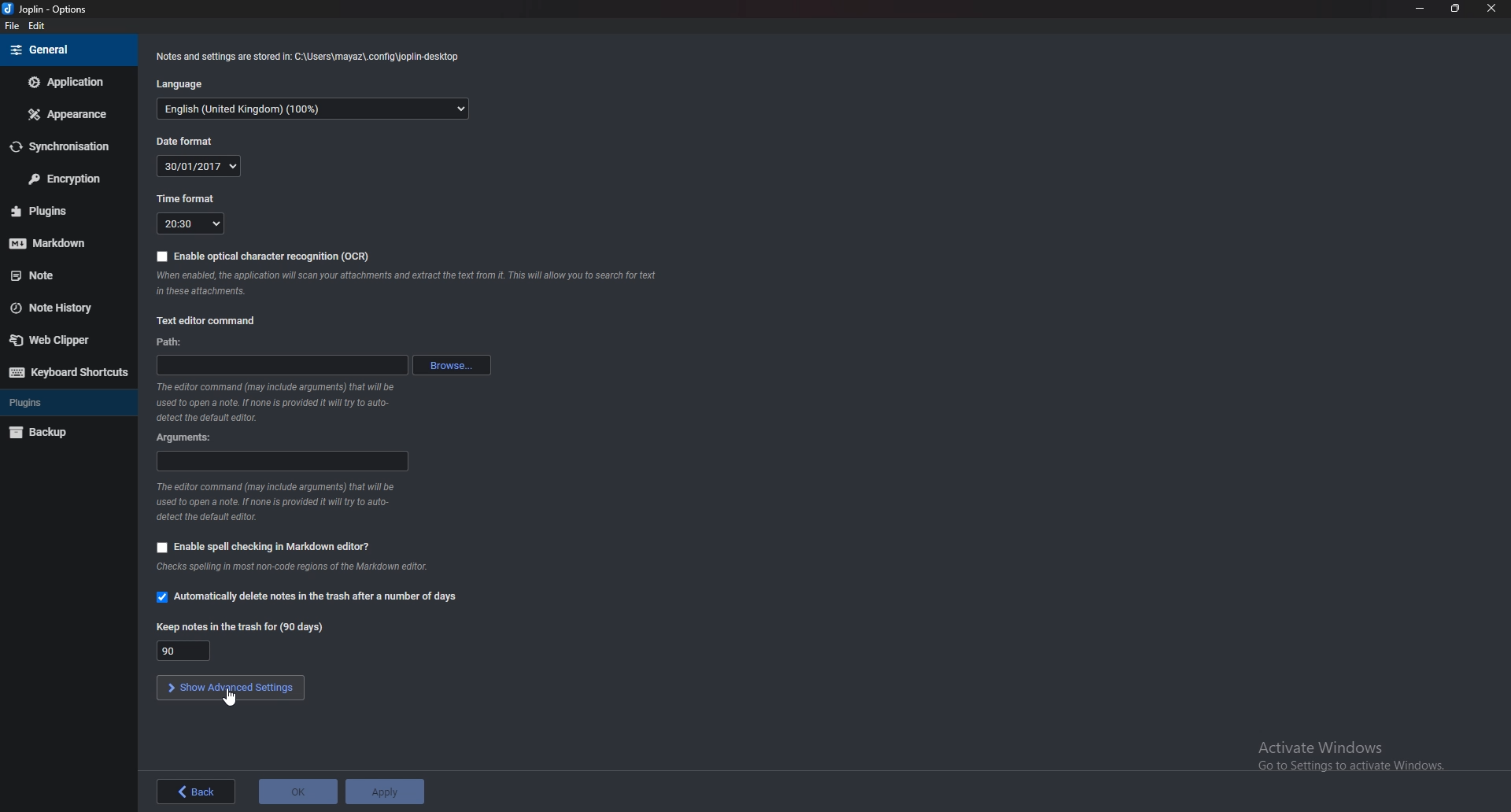  Describe the element at coordinates (282, 460) in the screenshot. I see `Arguments` at that location.